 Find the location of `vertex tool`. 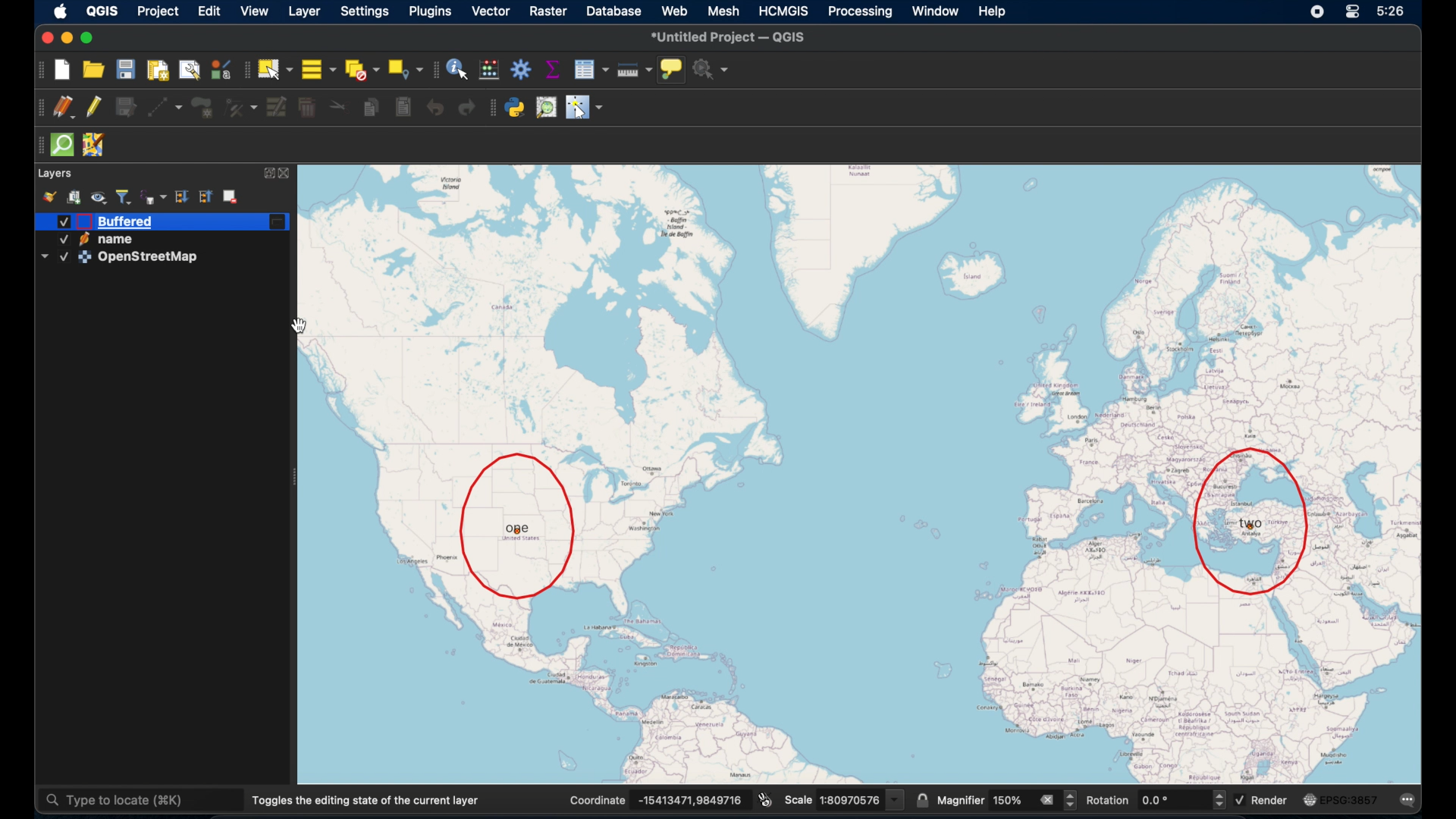

vertex tool is located at coordinates (240, 106).